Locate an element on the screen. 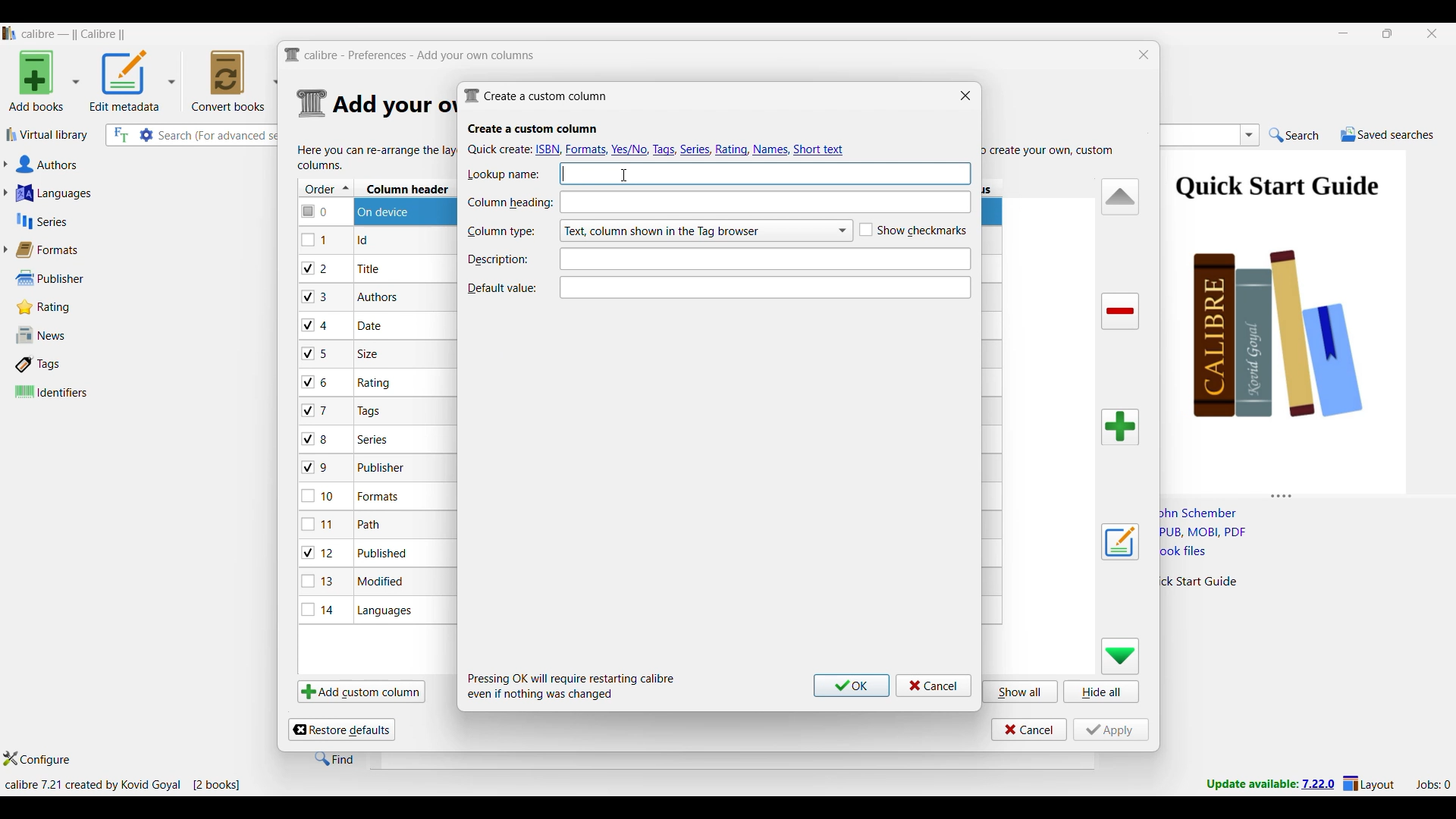 Image resolution: width=1456 pixels, height=819 pixels. checkbox - 4 is located at coordinates (315, 325).